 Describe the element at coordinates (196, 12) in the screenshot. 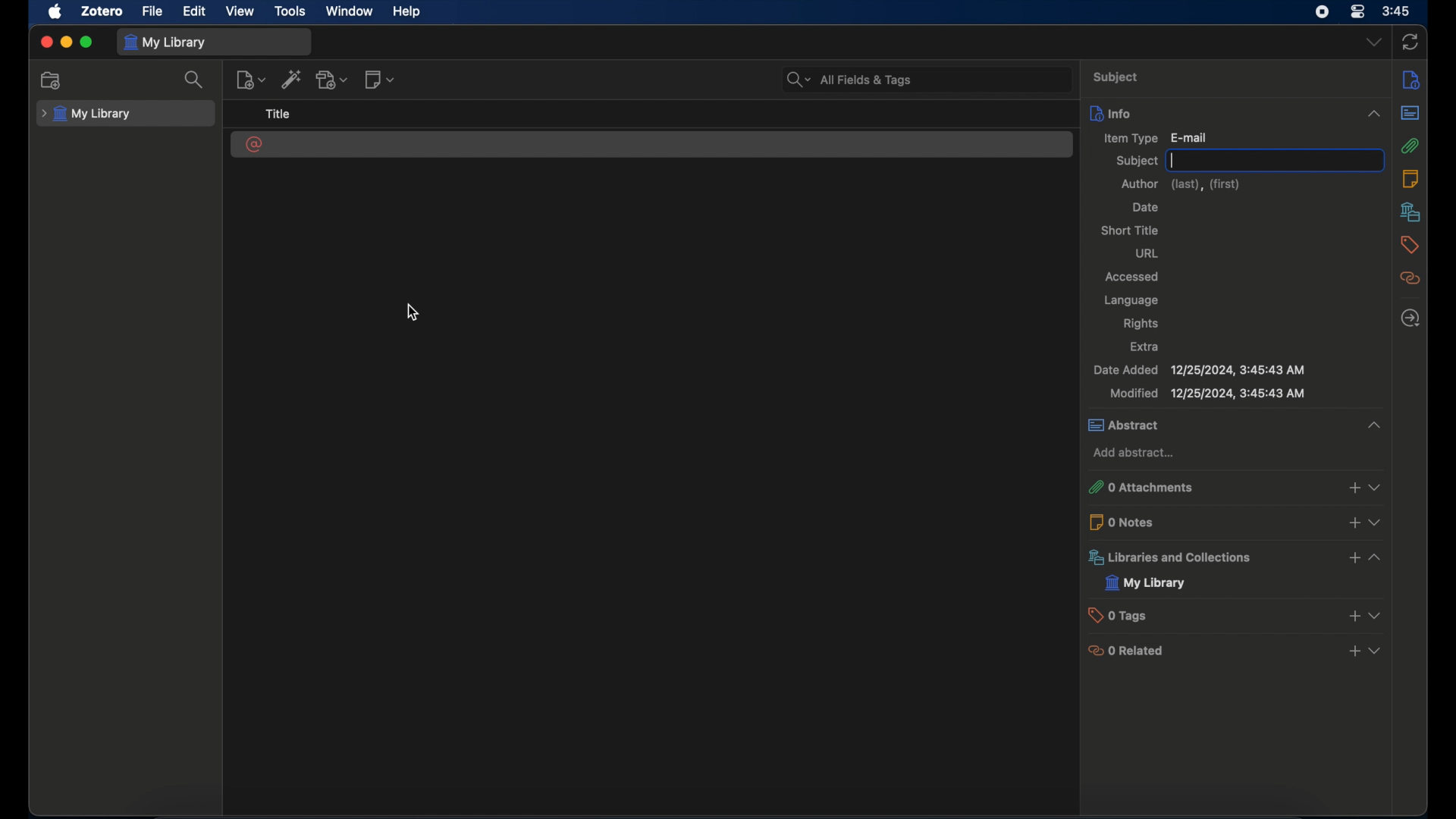

I see `edit` at that location.